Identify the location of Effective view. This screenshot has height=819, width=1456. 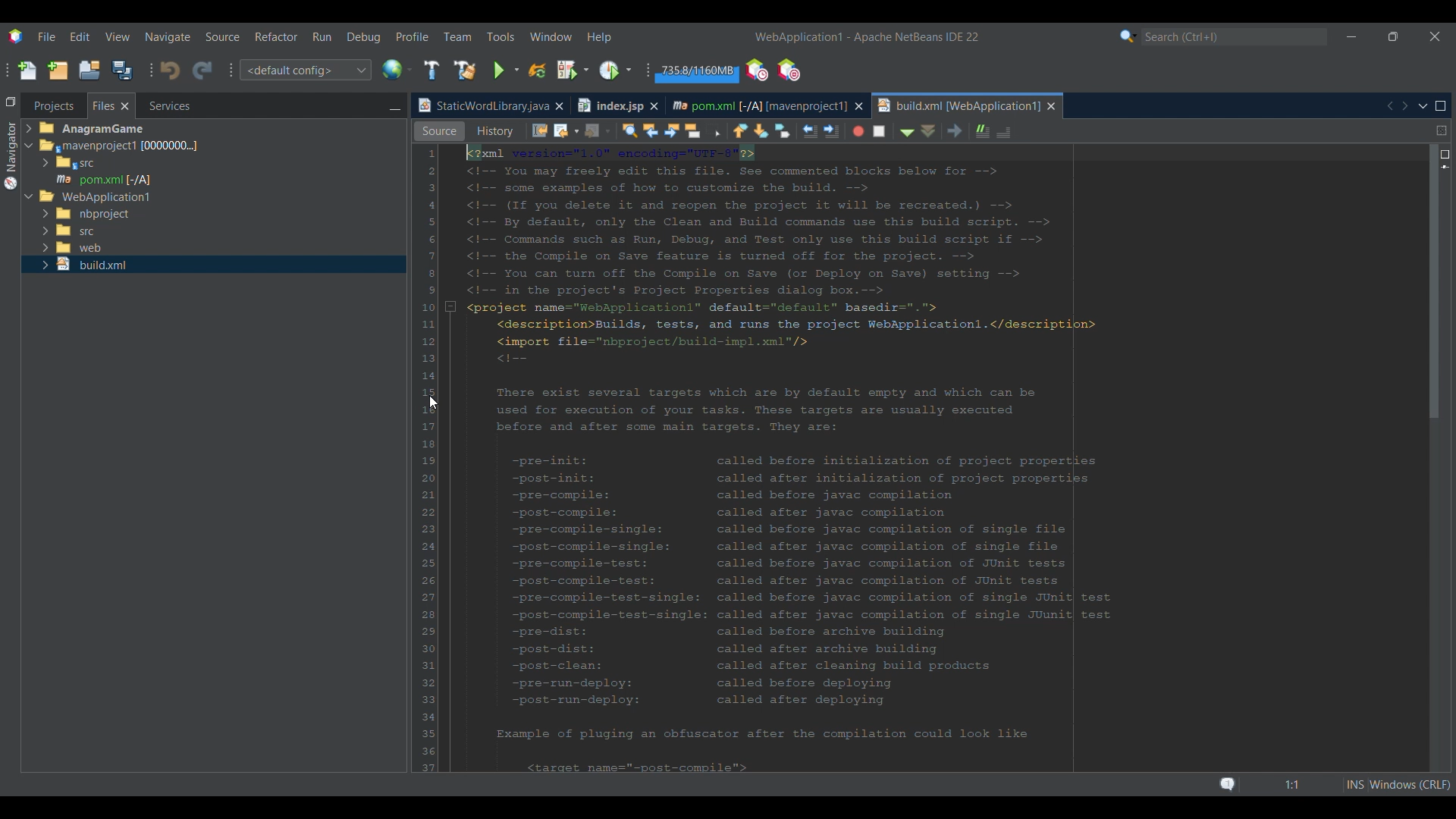
(565, 131).